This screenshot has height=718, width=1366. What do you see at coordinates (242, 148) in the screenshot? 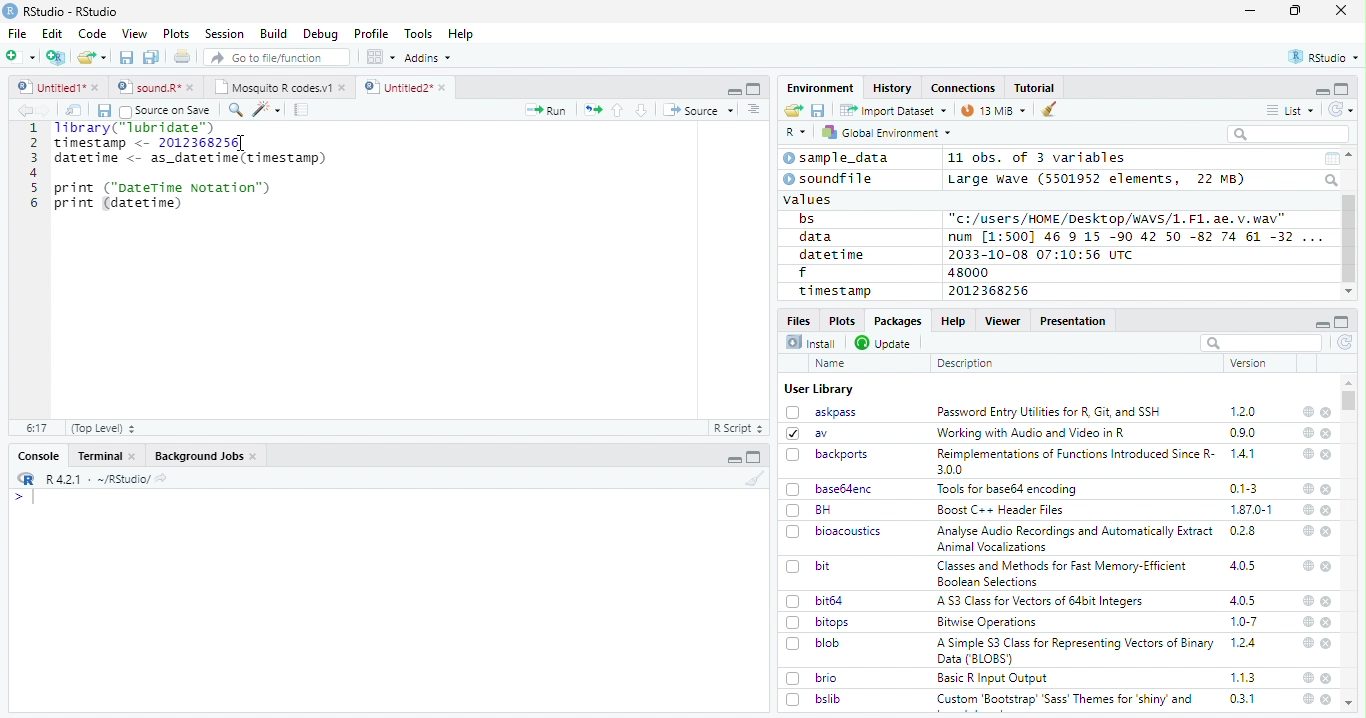
I see `cursor` at bounding box center [242, 148].